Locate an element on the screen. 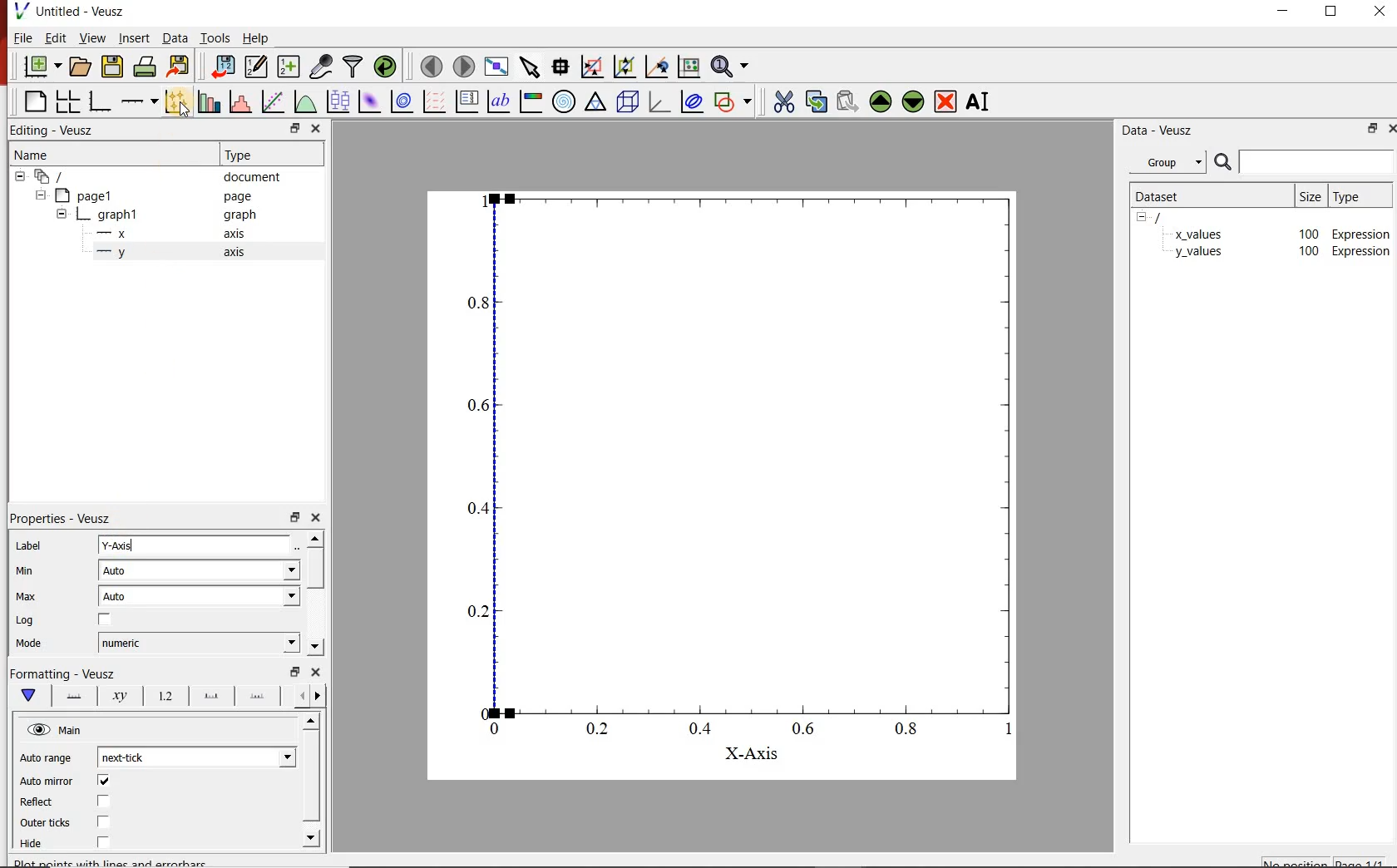 The width and height of the screenshot is (1397, 868). edit  is located at coordinates (57, 37).